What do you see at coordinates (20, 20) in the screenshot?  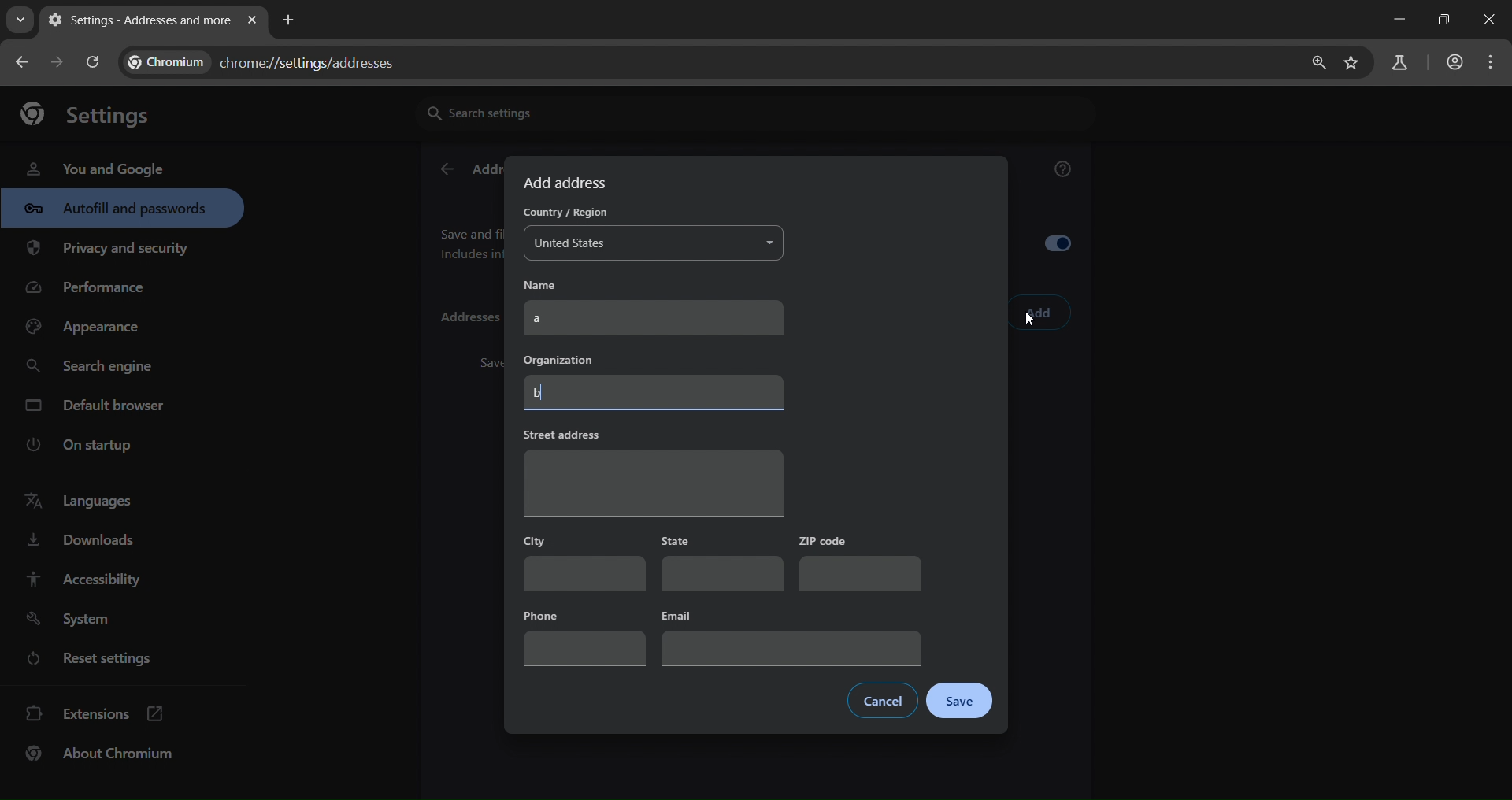 I see `search  tabs` at bounding box center [20, 20].